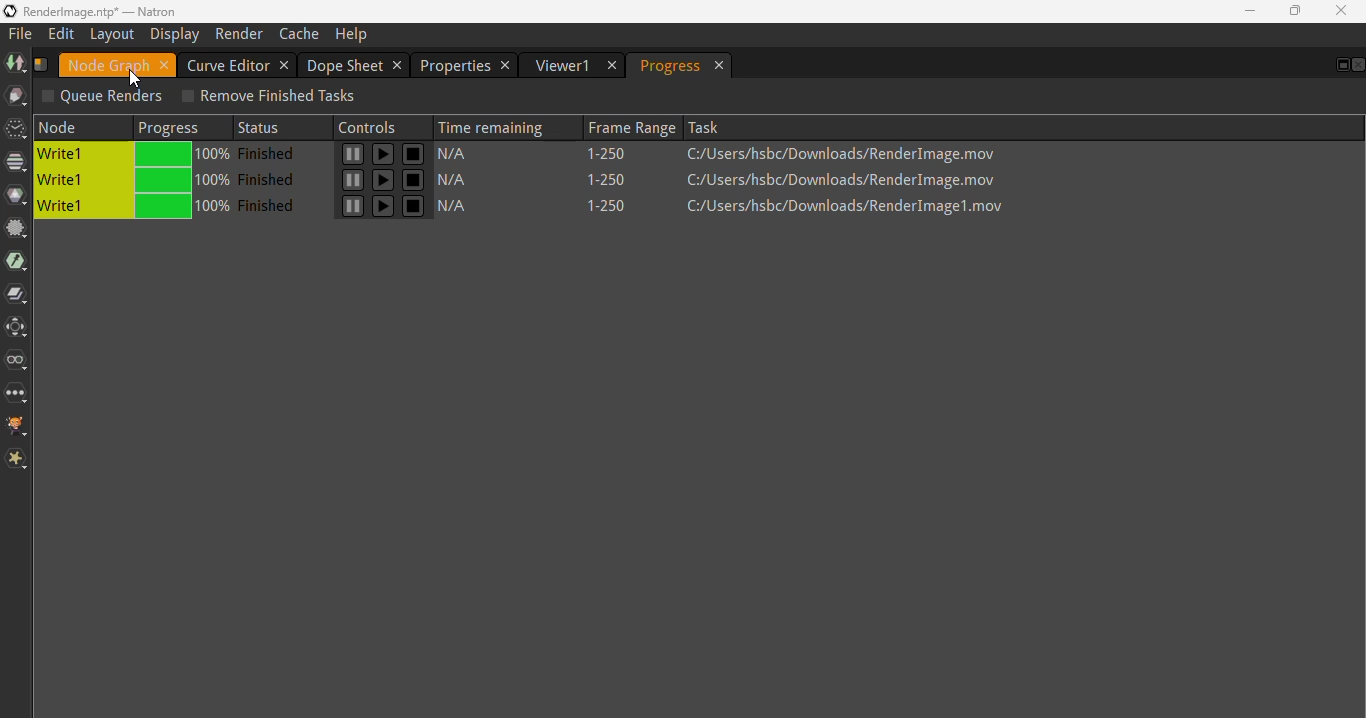 This screenshot has width=1366, height=718. Describe the element at coordinates (9, 11) in the screenshot. I see `logo` at that location.